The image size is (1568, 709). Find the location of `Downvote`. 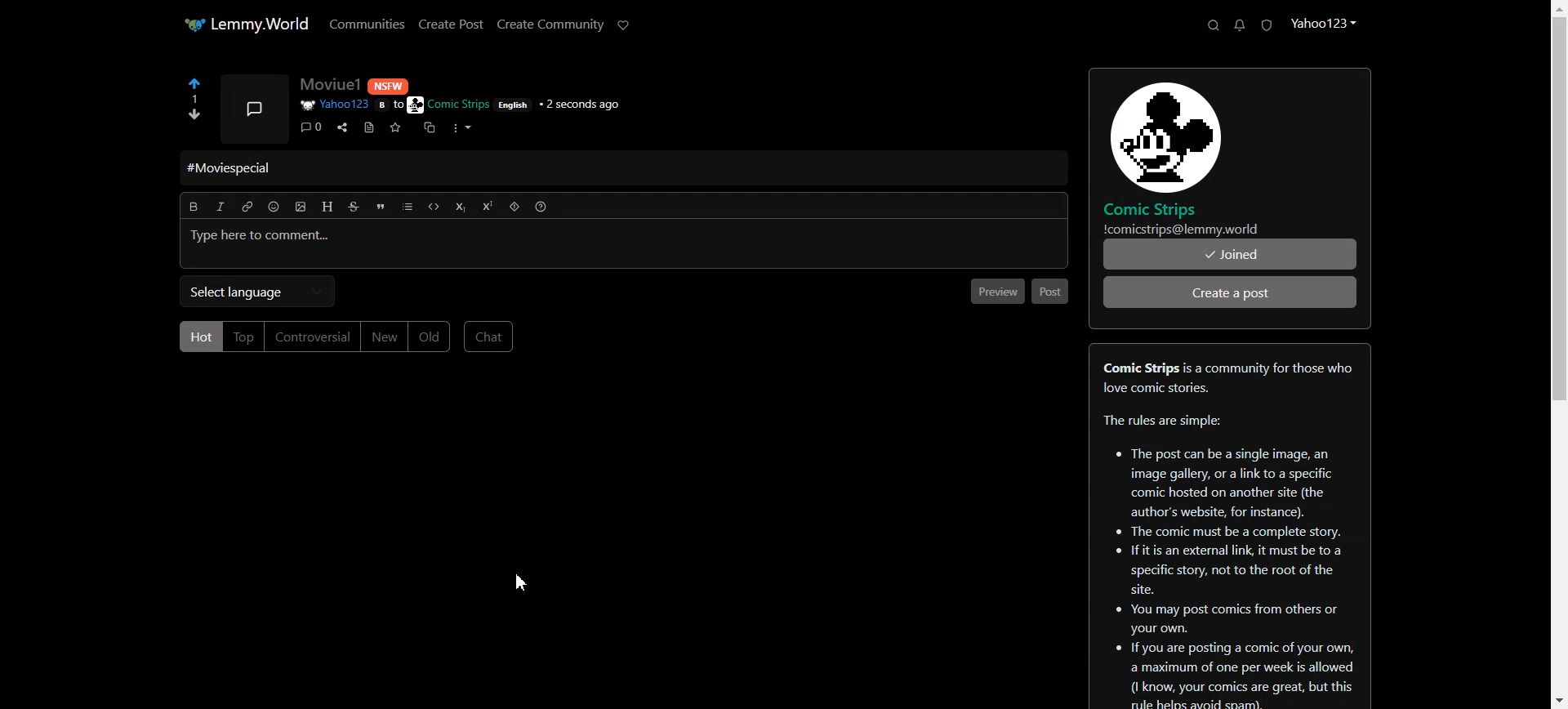

Downvote is located at coordinates (194, 115).